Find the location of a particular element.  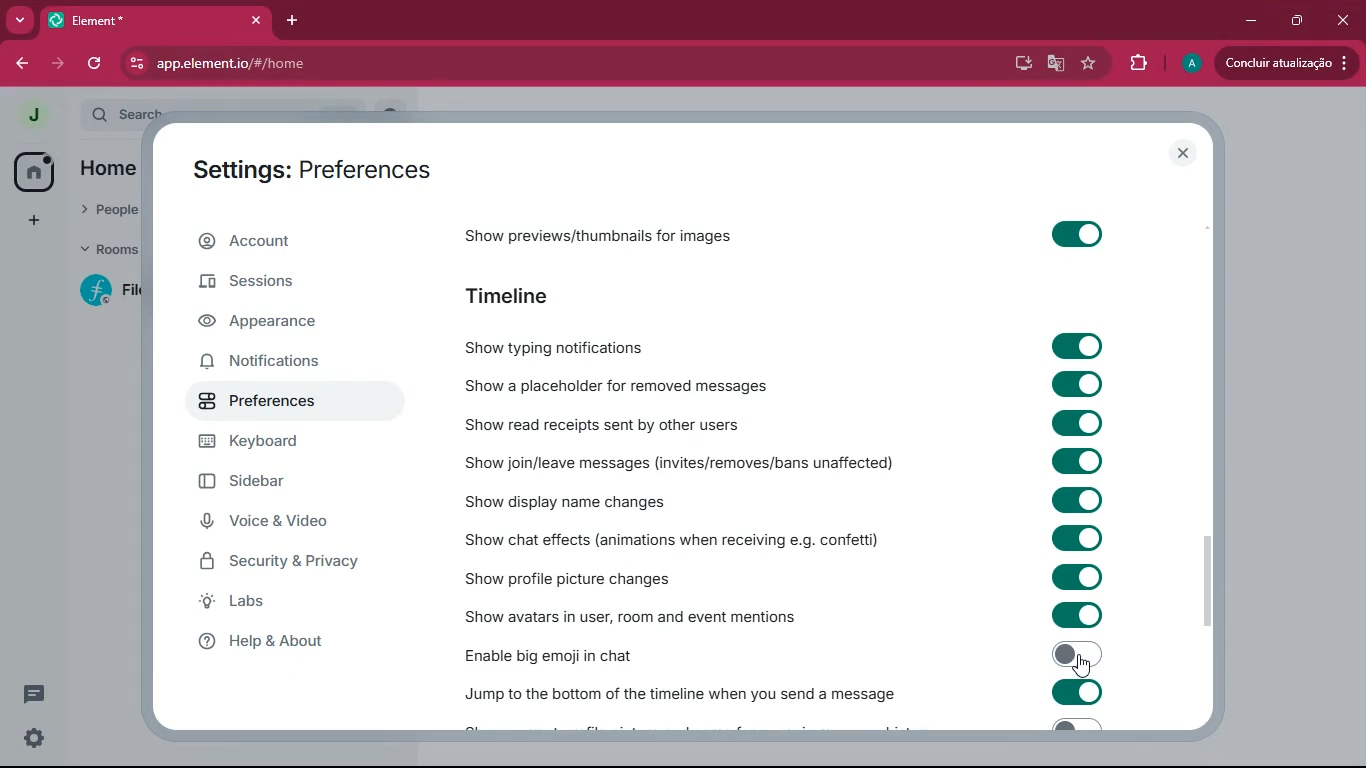

toggle off is located at coordinates (1073, 727).